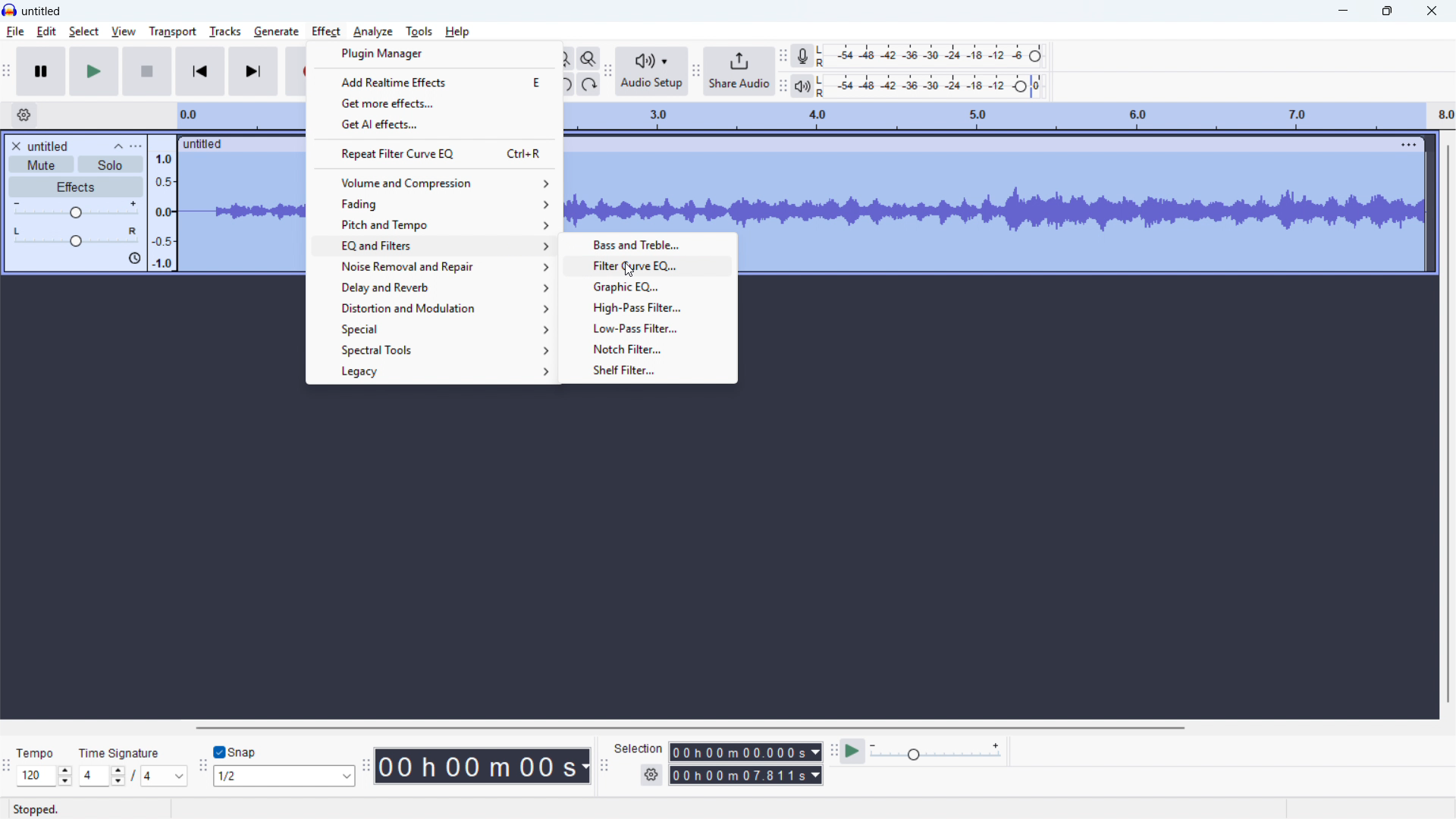  I want to click on Re-do , so click(588, 84).